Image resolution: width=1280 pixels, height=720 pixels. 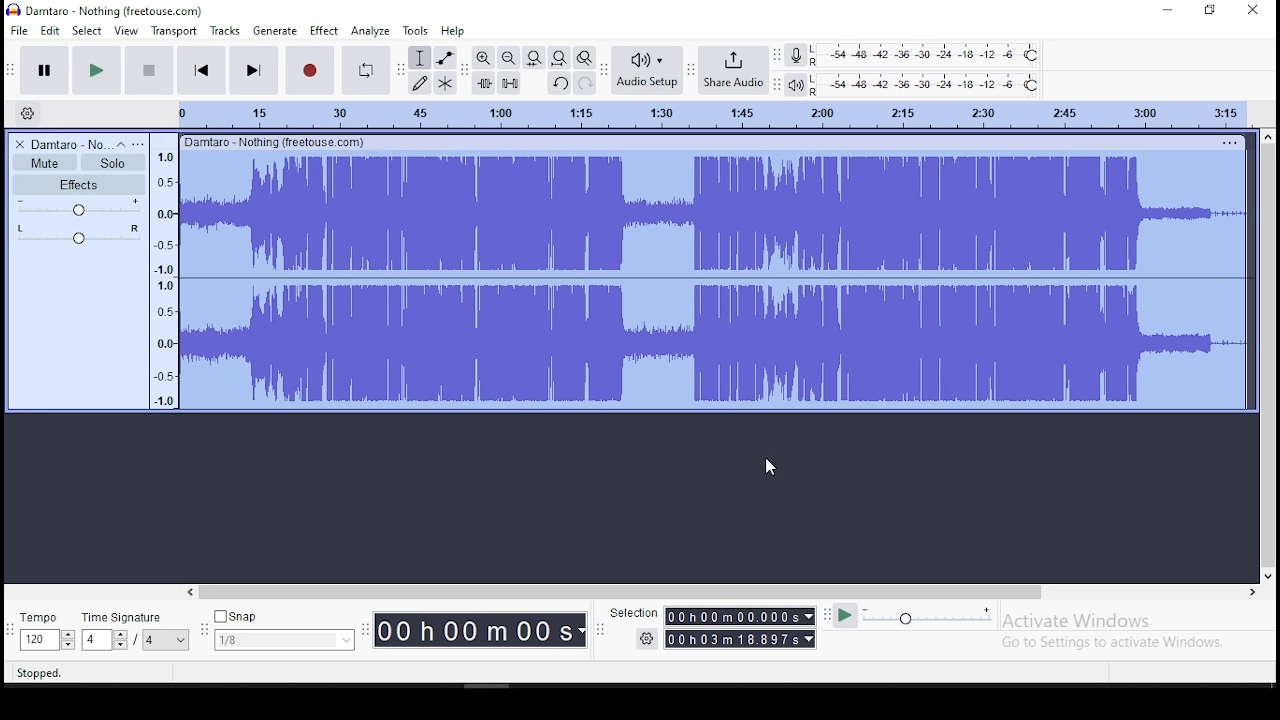 What do you see at coordinates (447, 82) in the screenshot?
I see `multi tool` at bounding box center [447, 82].